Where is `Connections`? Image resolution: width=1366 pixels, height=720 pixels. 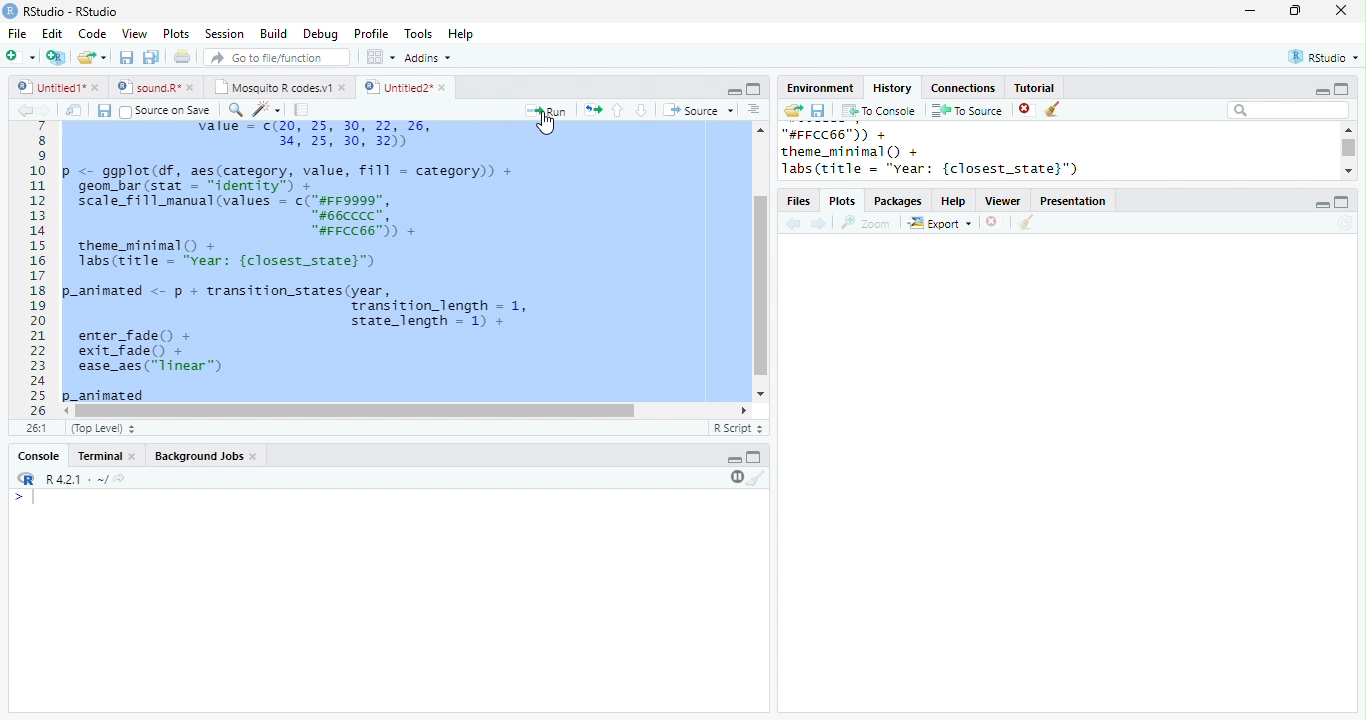
Connections is located at coordinates (965, 88).